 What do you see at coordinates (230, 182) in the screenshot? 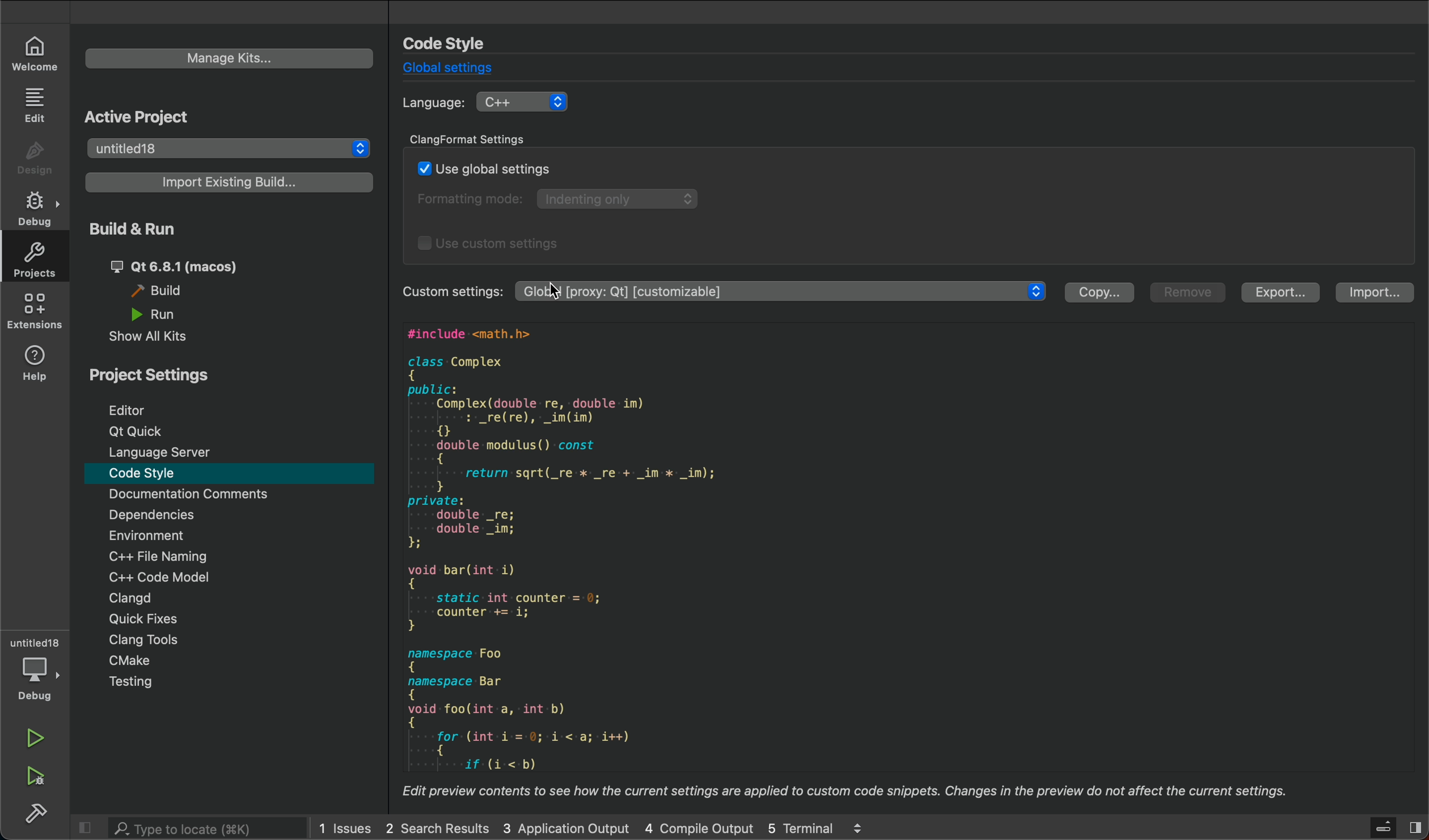
I see `import existing build` at bounding box center [230, 182].